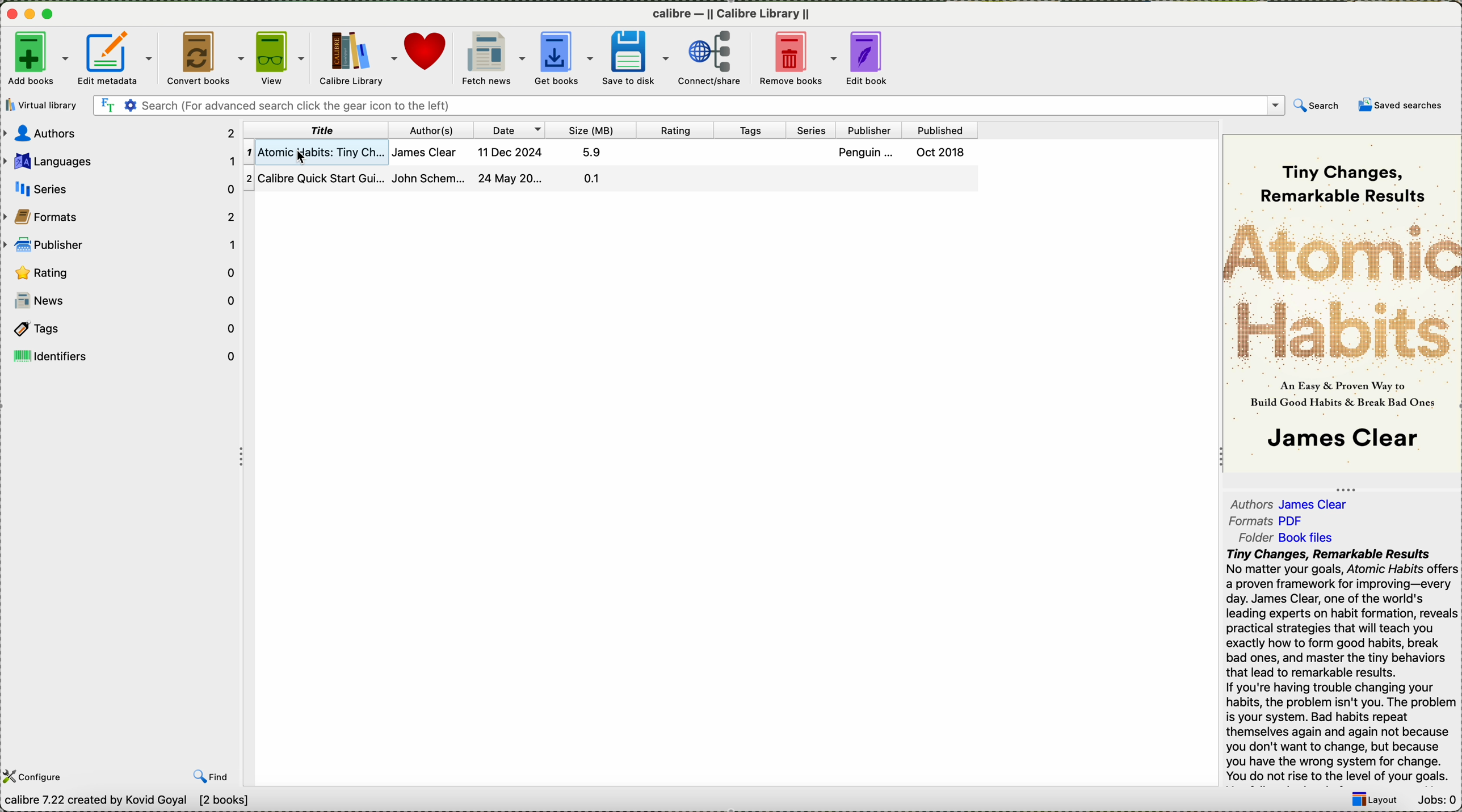  Describe the element at coordinates (869, 131) in the screenshot. I see `publisher` at that location.